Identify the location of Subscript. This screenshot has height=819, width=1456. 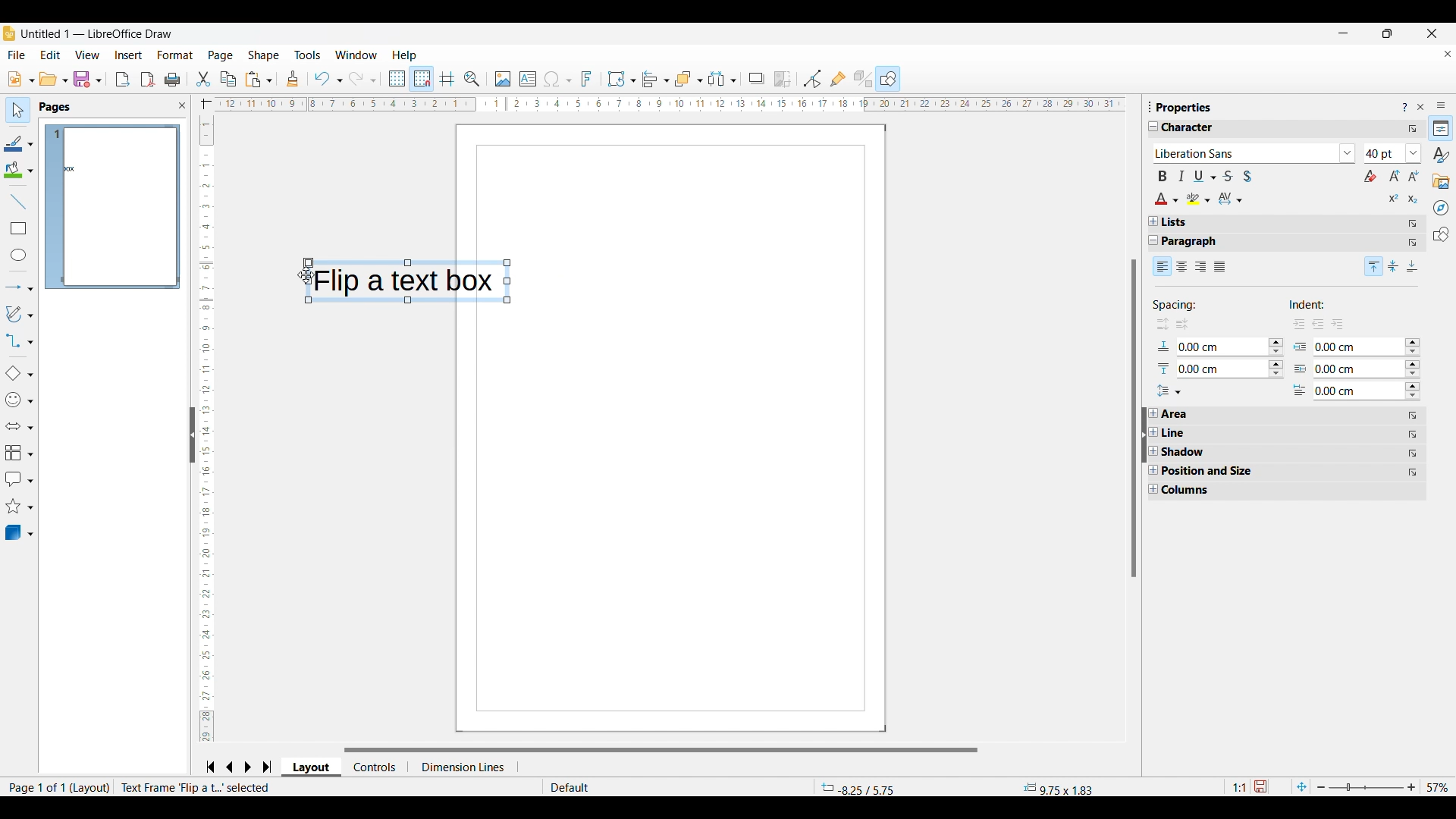
(1414, 199).